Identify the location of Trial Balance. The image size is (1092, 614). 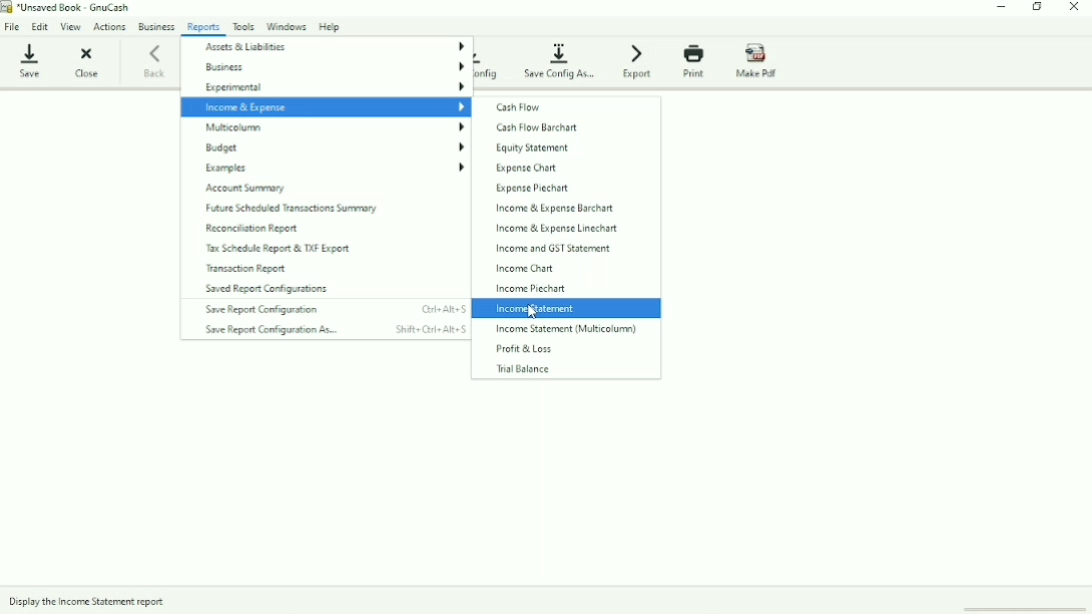
(522, 368).